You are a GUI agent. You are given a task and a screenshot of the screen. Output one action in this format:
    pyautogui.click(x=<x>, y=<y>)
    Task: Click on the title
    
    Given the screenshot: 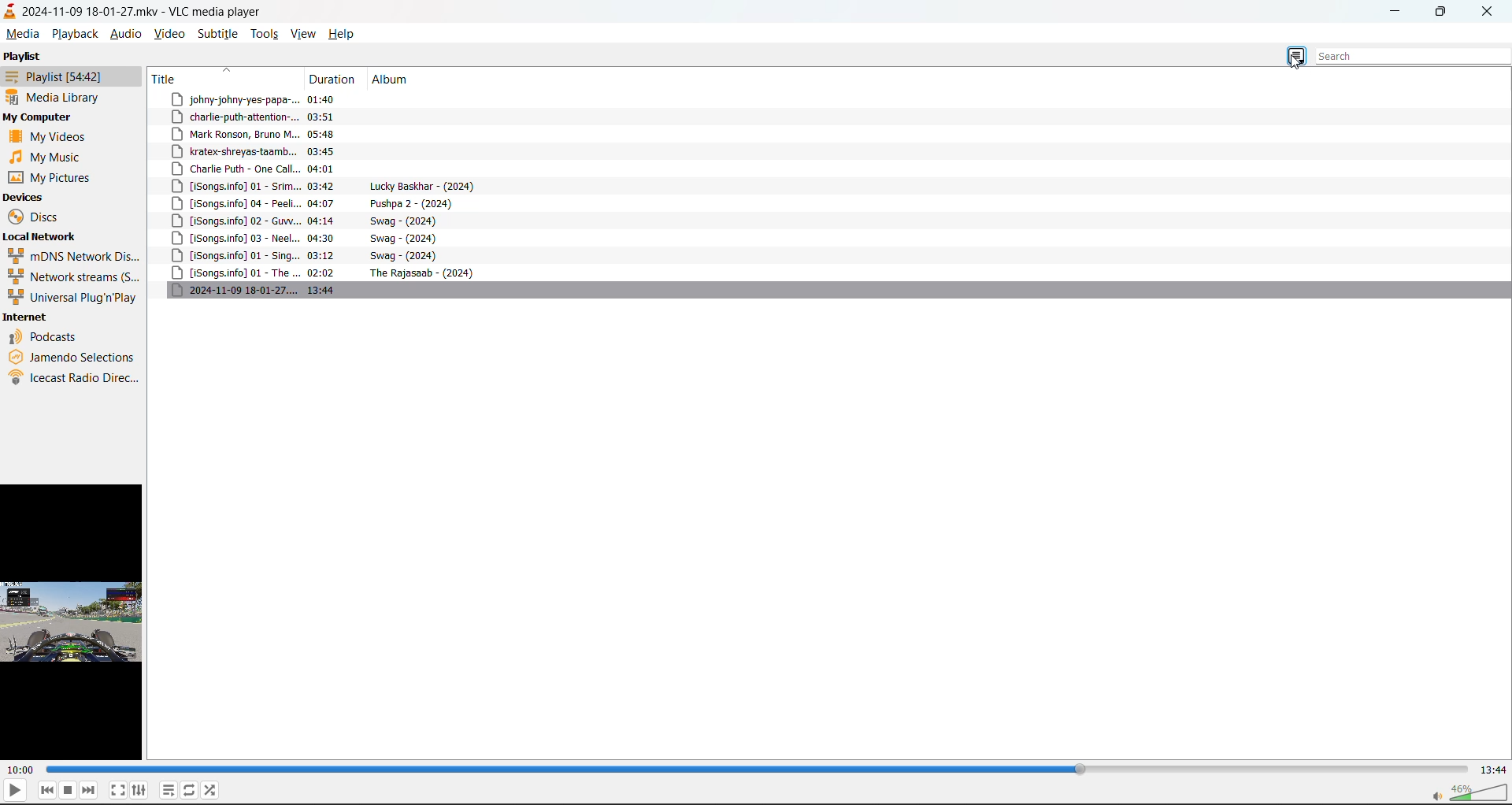 What is the action you would take?
    pyautogui.click(x=173, y=78)
    